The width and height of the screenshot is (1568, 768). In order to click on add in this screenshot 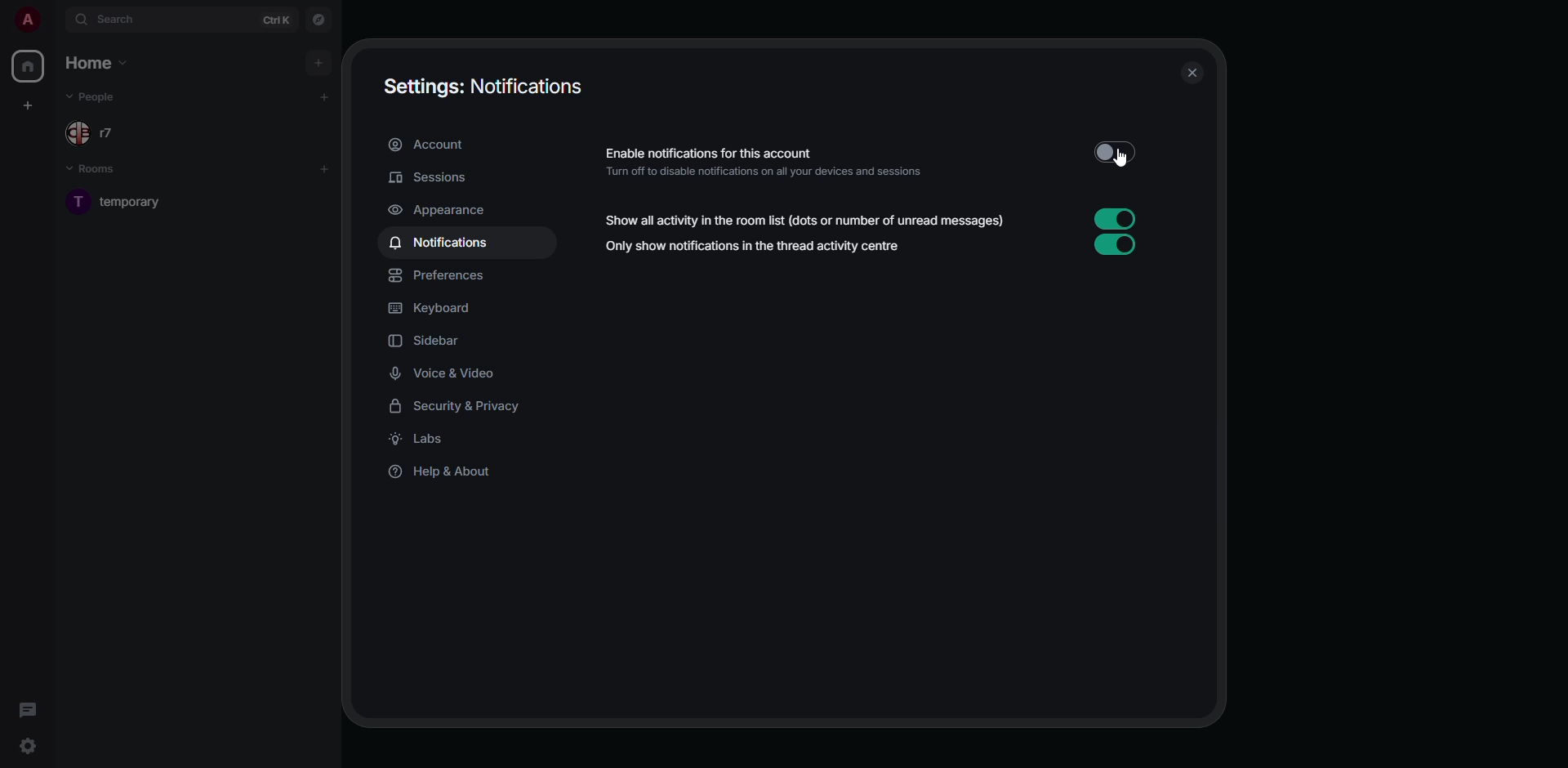, I will do `click(328, 94)`.